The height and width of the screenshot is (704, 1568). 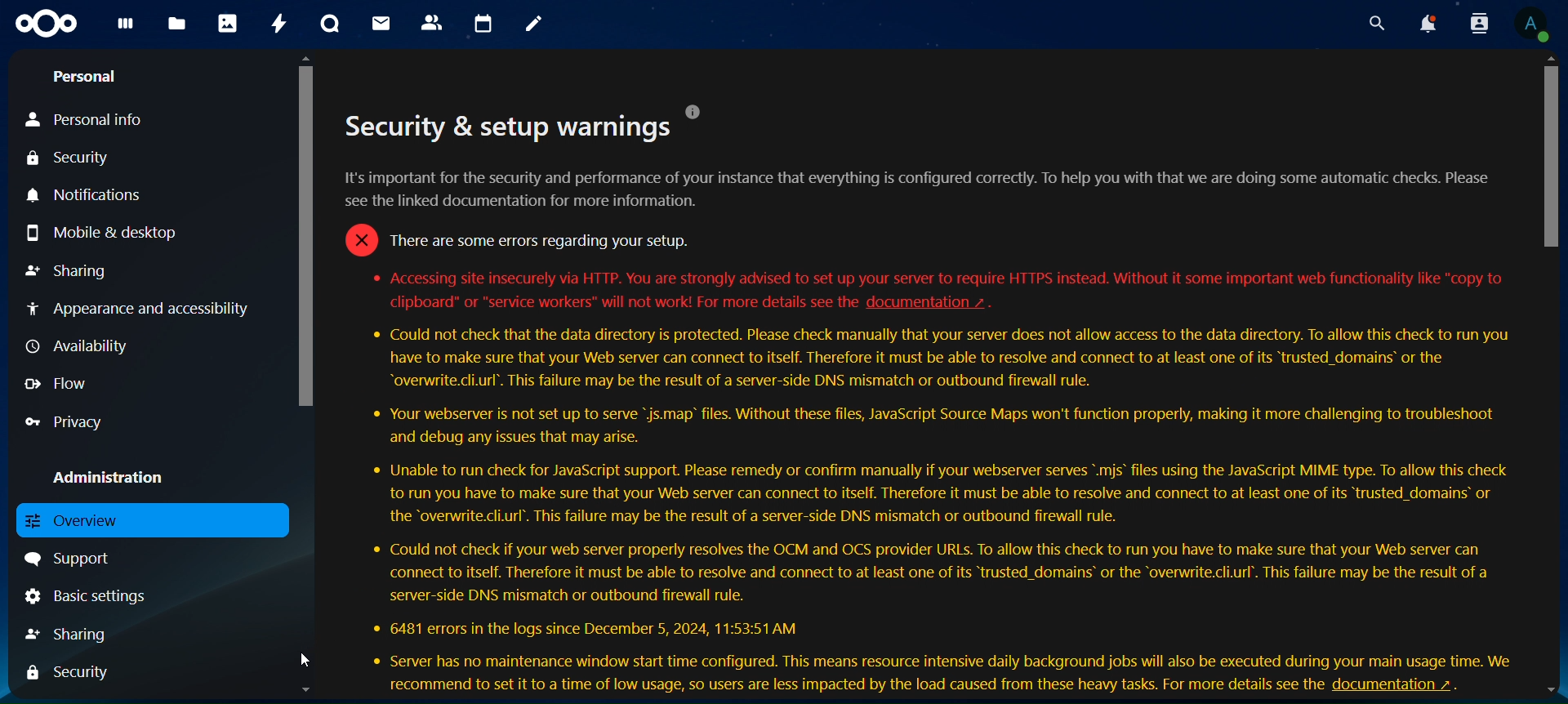 What do you see at coordinates (1373, 25) in the screenshot?
I see `search` at bounding box center [1373, 25].